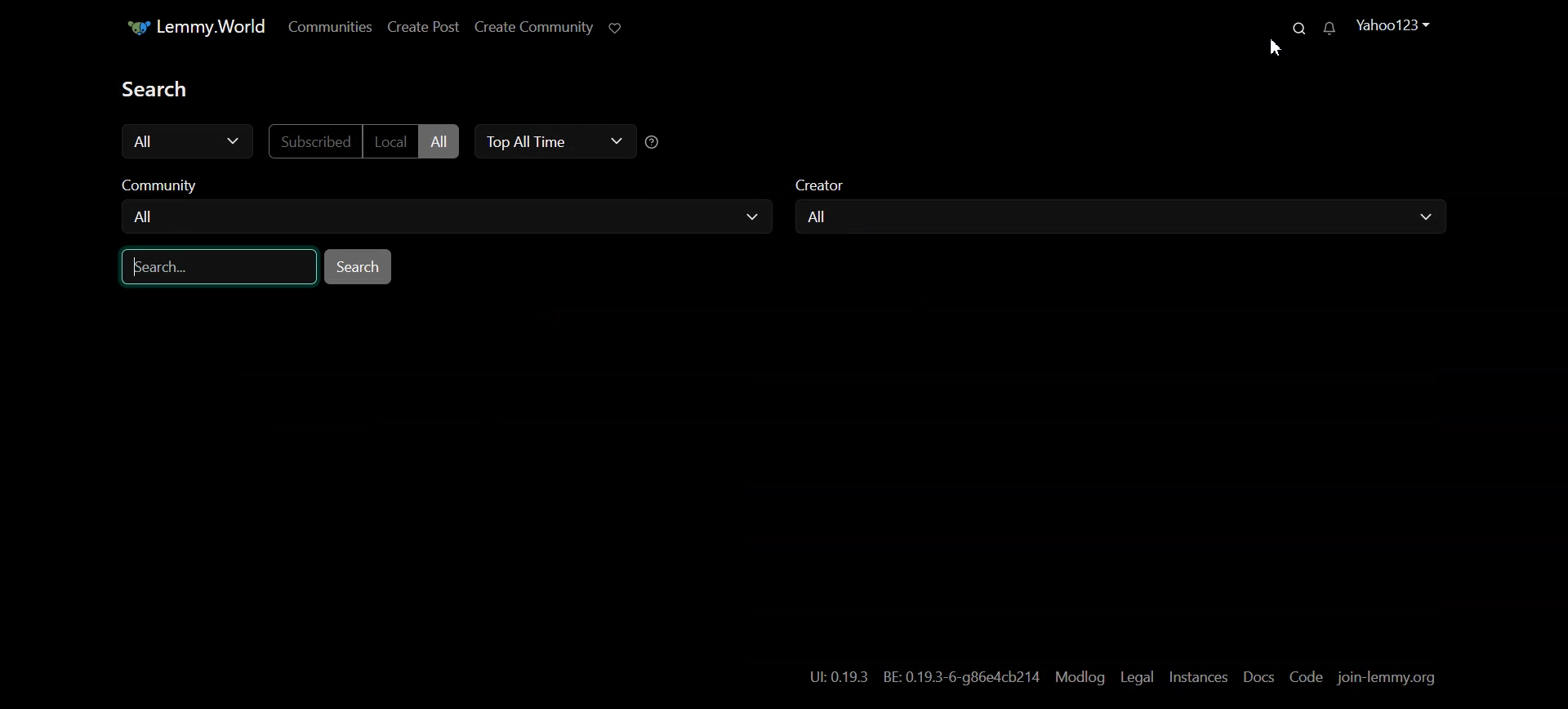 Image resolution: width=1568 pixels, height=709 pixels. What do you see at coordinates (440, 141) in the screenshot?
I see `All` at bounding box center [440, 141].